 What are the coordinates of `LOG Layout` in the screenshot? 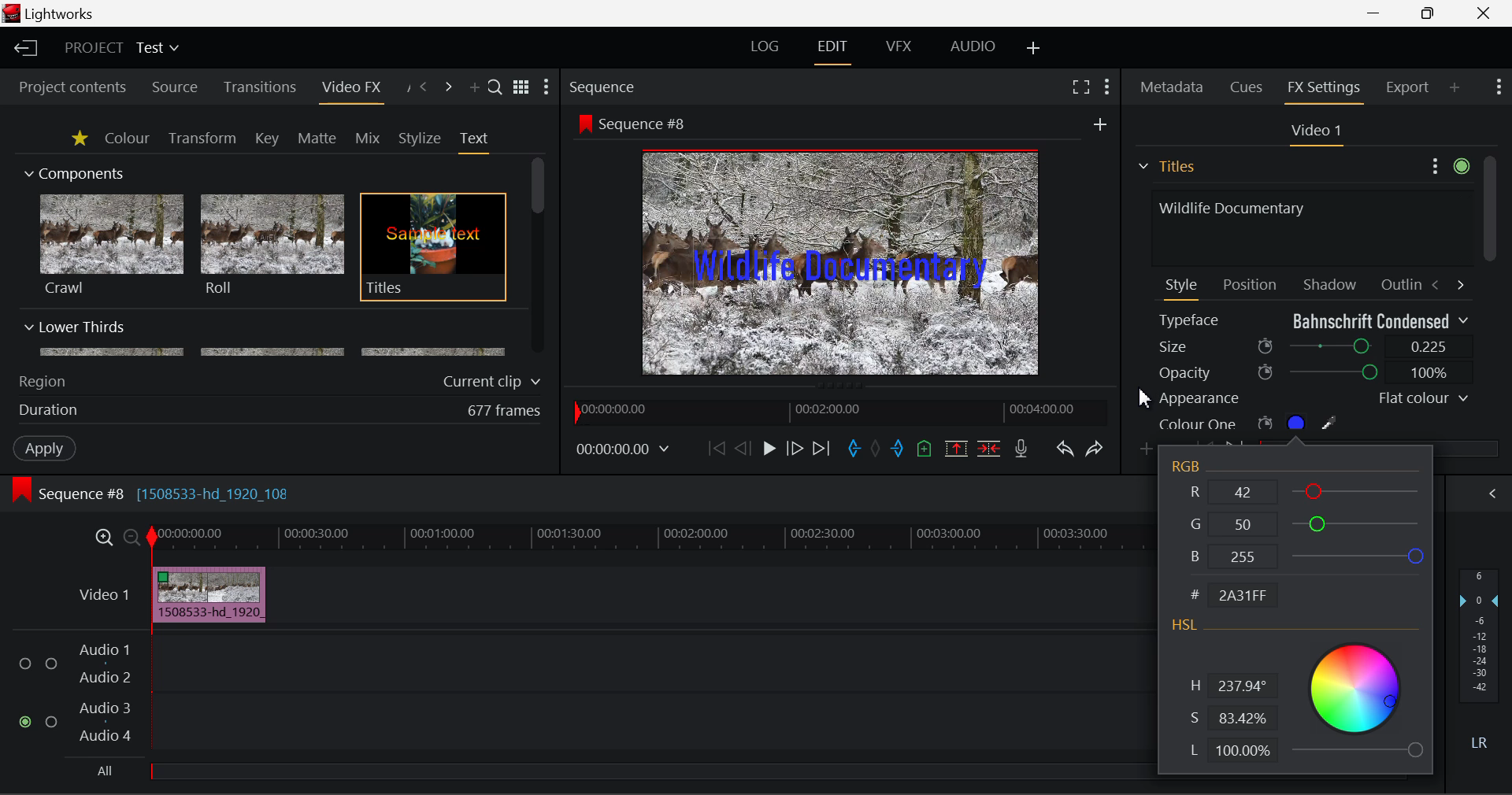 It's located at (765, 46).